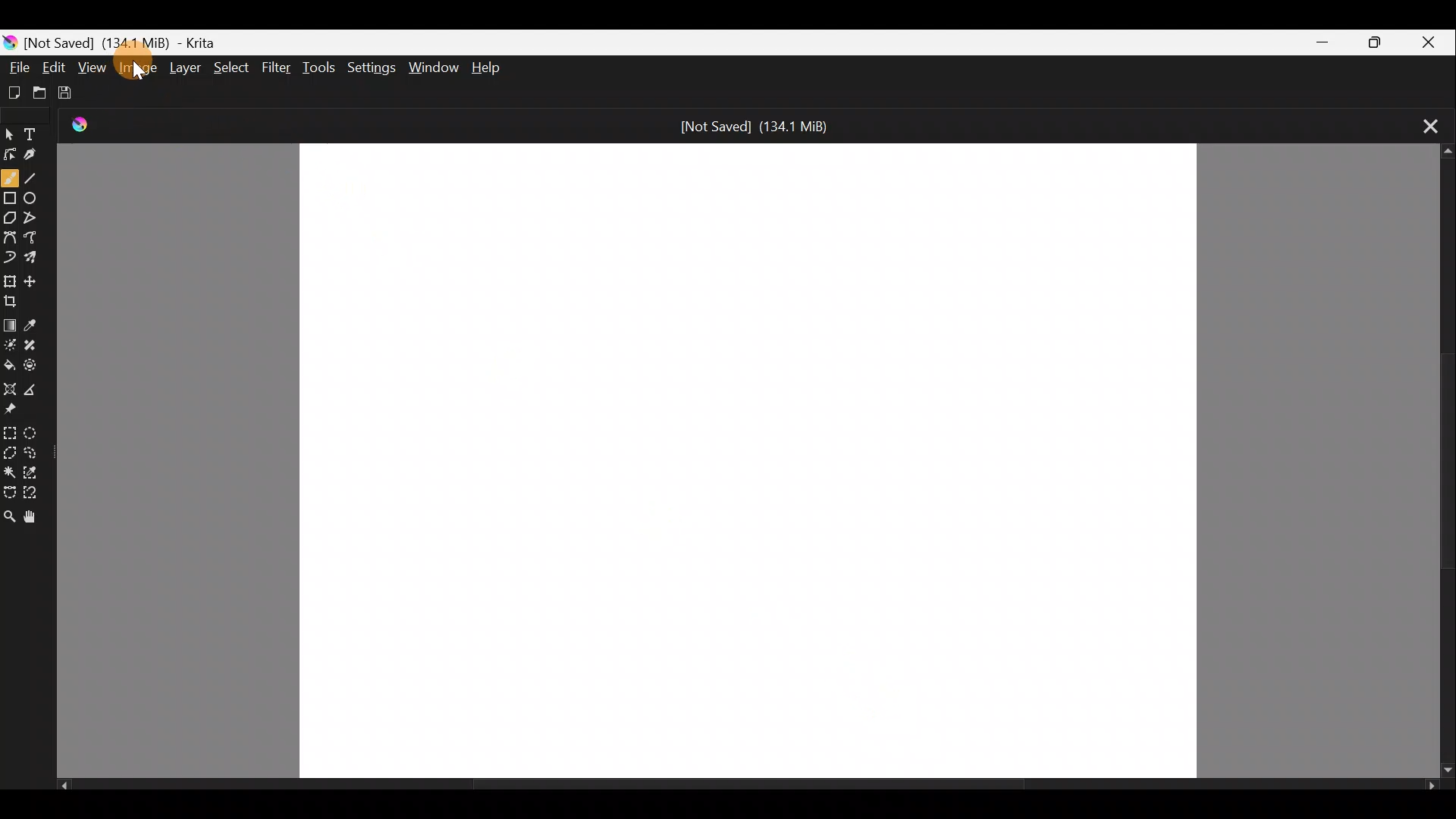  What do you see at coordinates (37, 321) in the screenshot?
I see `Sample a colour from the image/current layer` at bounding box center [37, 321].